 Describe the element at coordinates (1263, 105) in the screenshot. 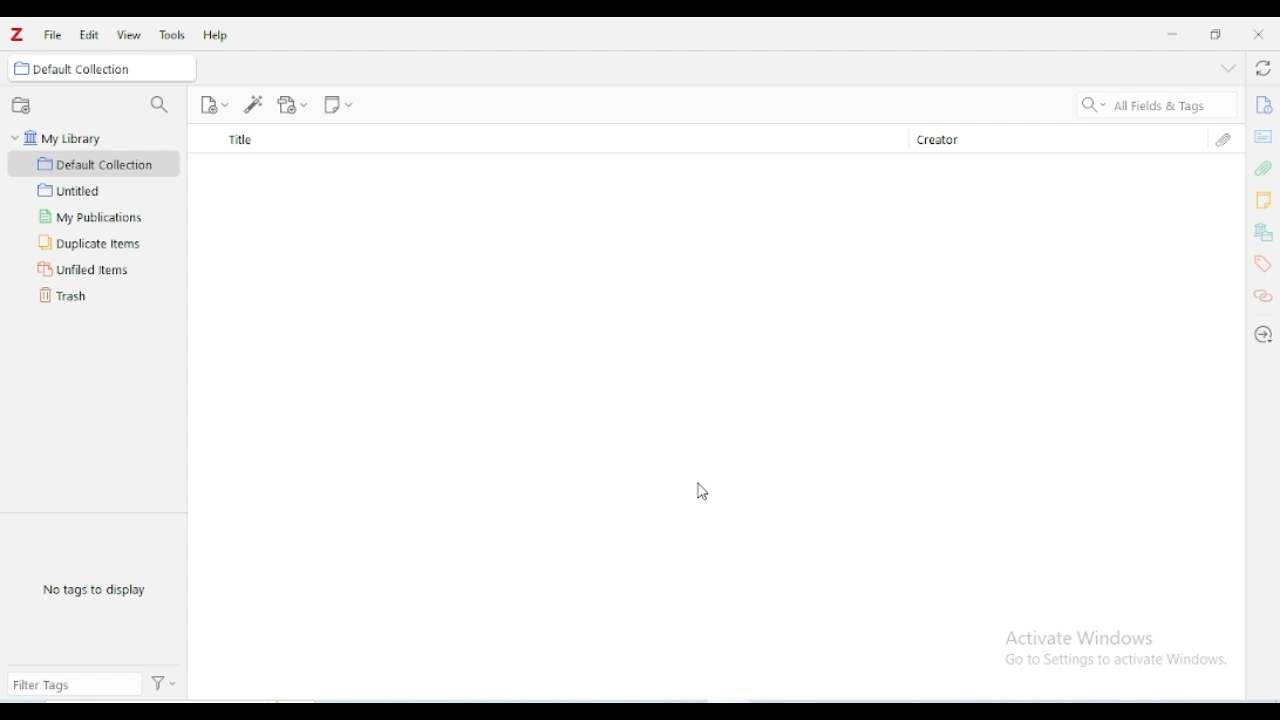

I see `info` at that location.